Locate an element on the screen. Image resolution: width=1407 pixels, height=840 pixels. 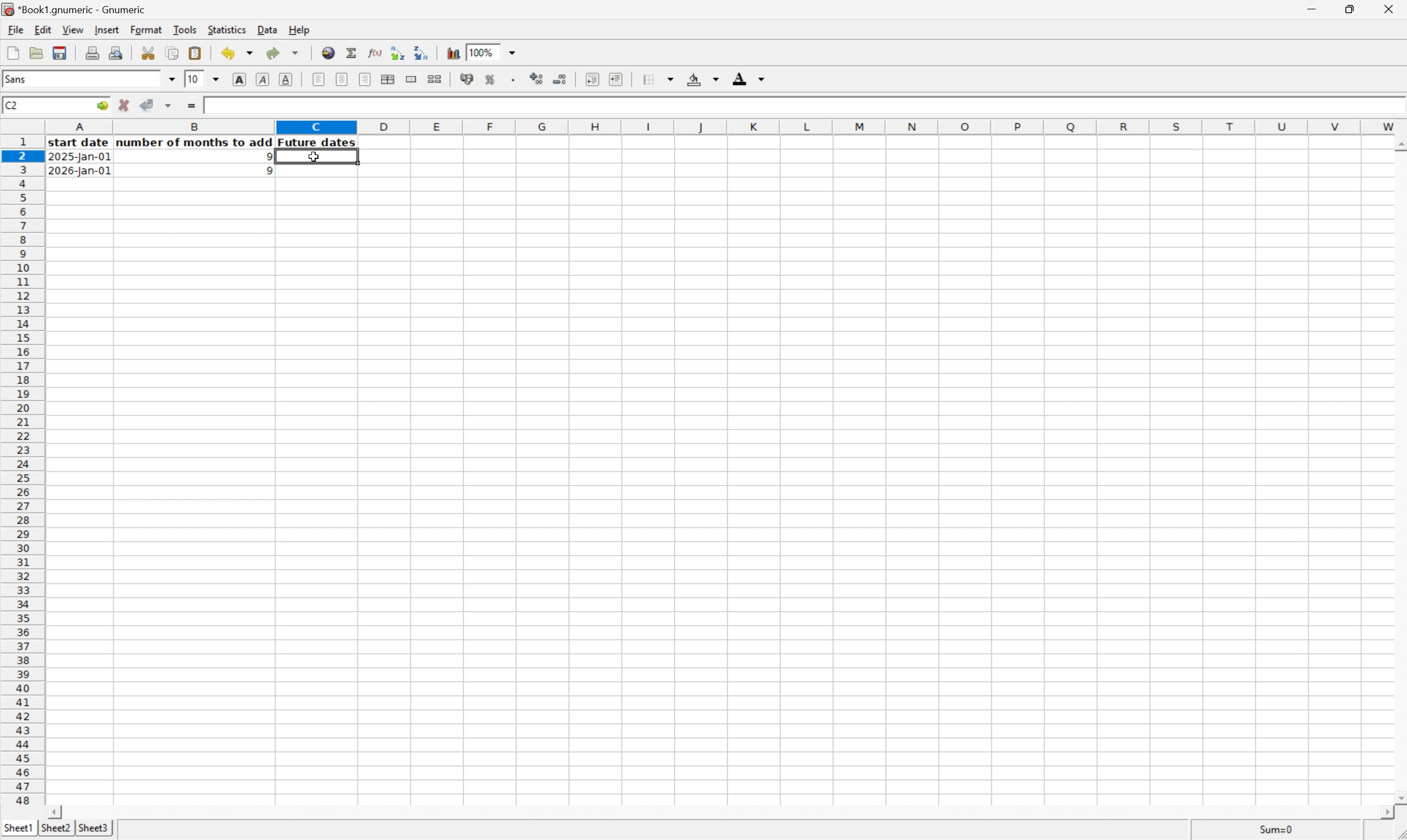
Print preview is located at coordinates (116, 52).